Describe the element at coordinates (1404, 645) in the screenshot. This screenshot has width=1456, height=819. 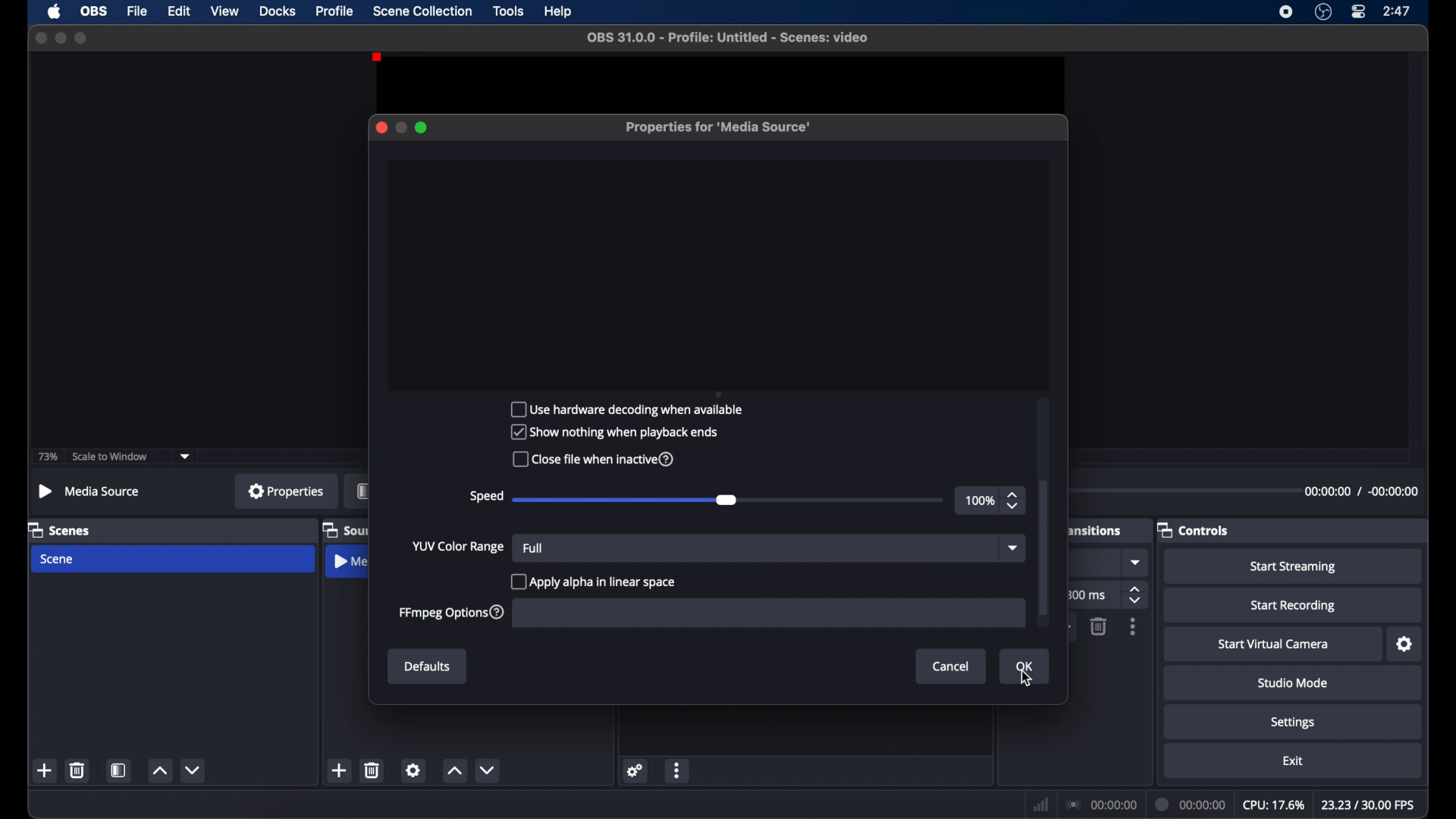
I see `settings` at that location.